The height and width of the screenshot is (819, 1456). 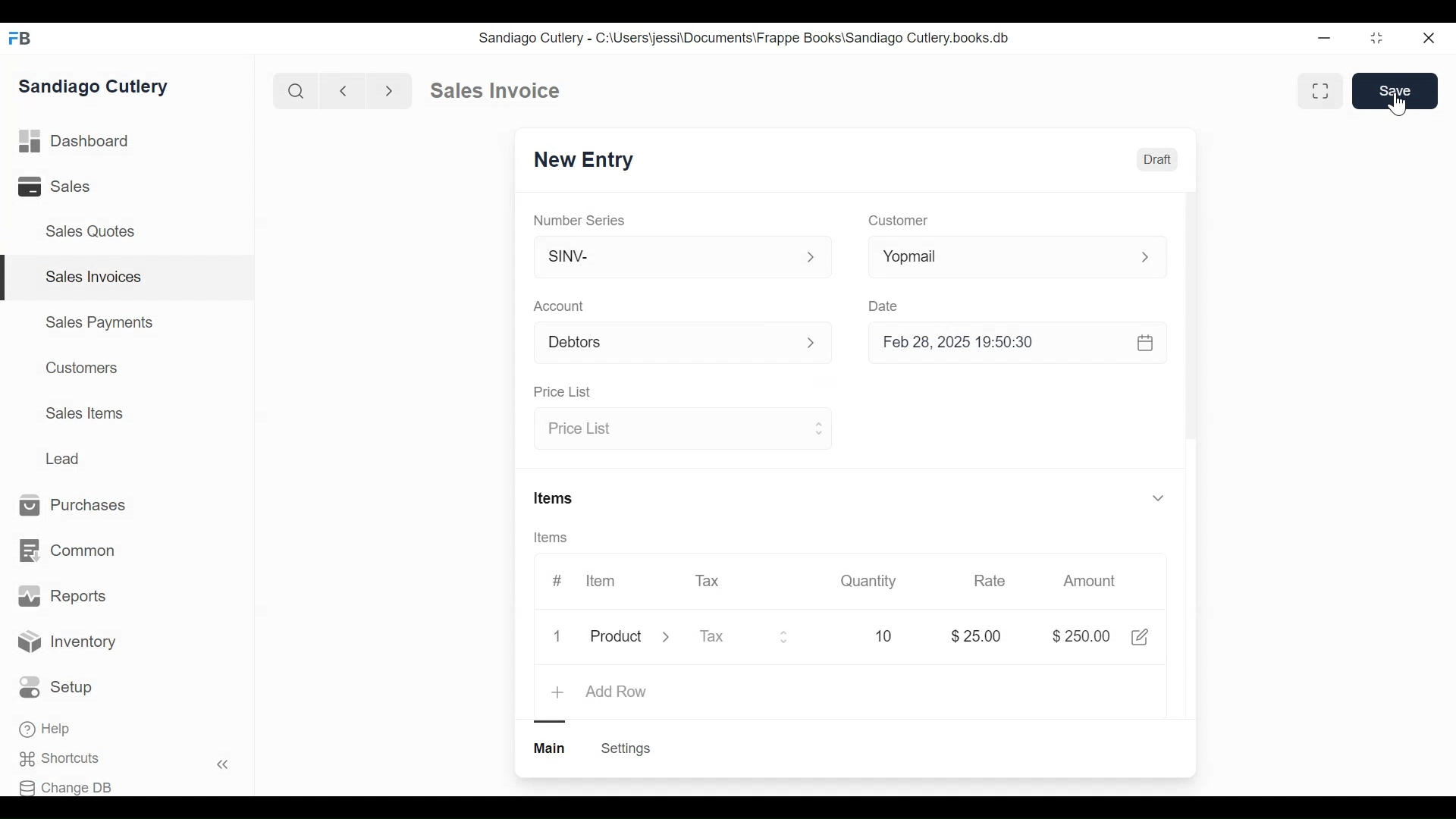 I want to click on Feb 28, 2025 19:50:30 &, so click(x=1021, y=344).